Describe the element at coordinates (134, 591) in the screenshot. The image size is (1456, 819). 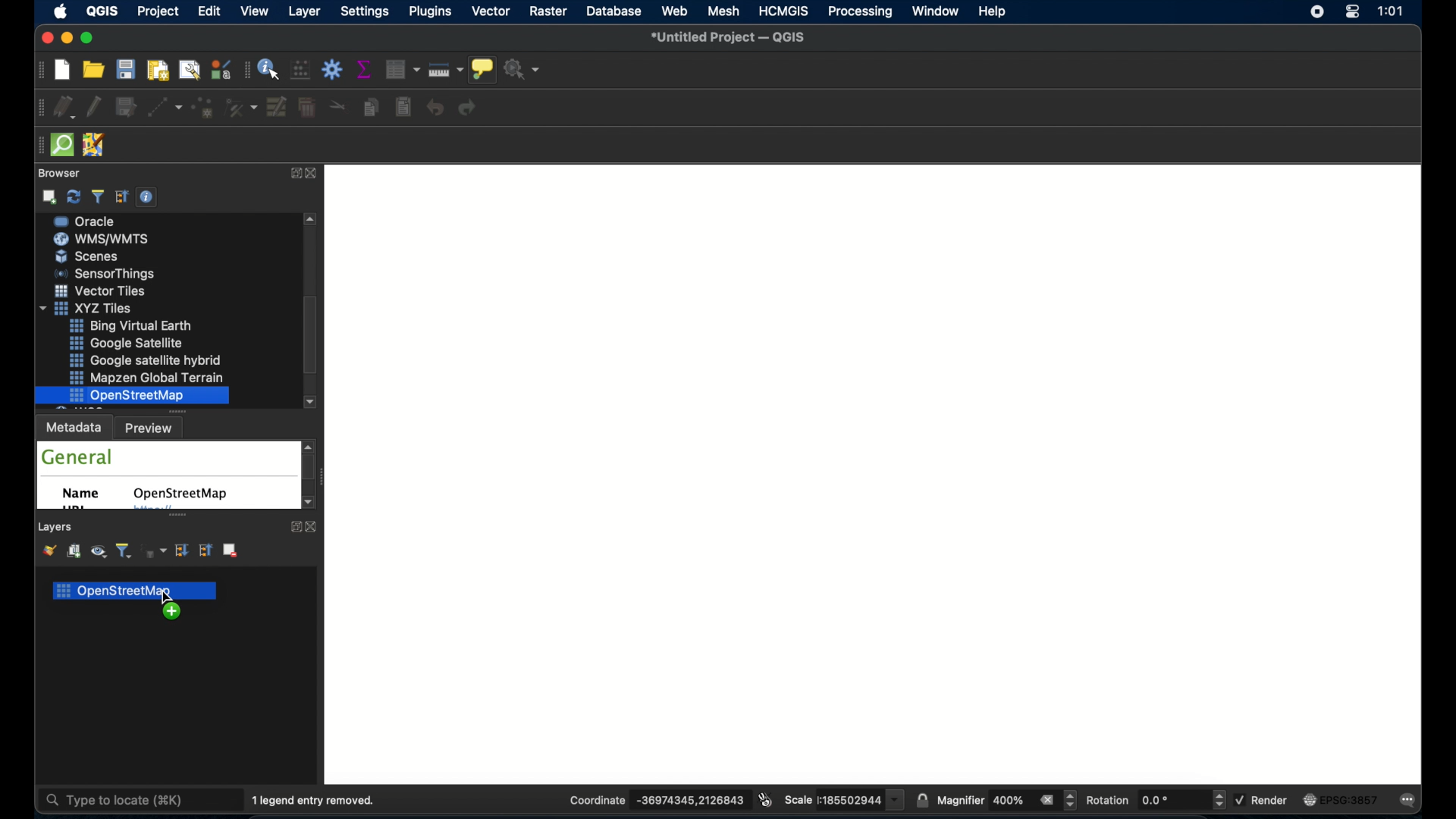
I see `openstreetmap ` at that location.